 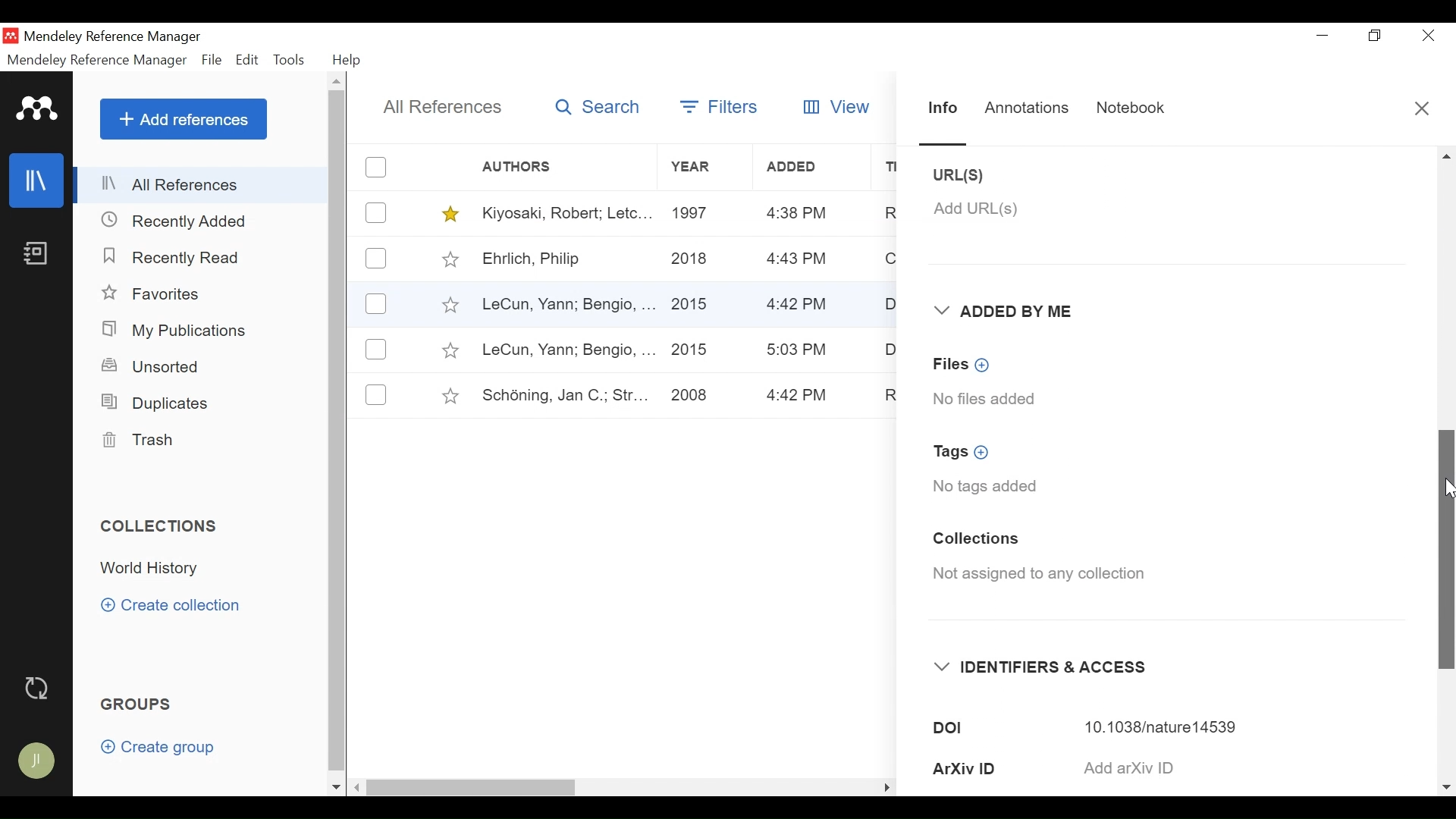 I want to click on 5:03 PM, so click(x=798, y=350).